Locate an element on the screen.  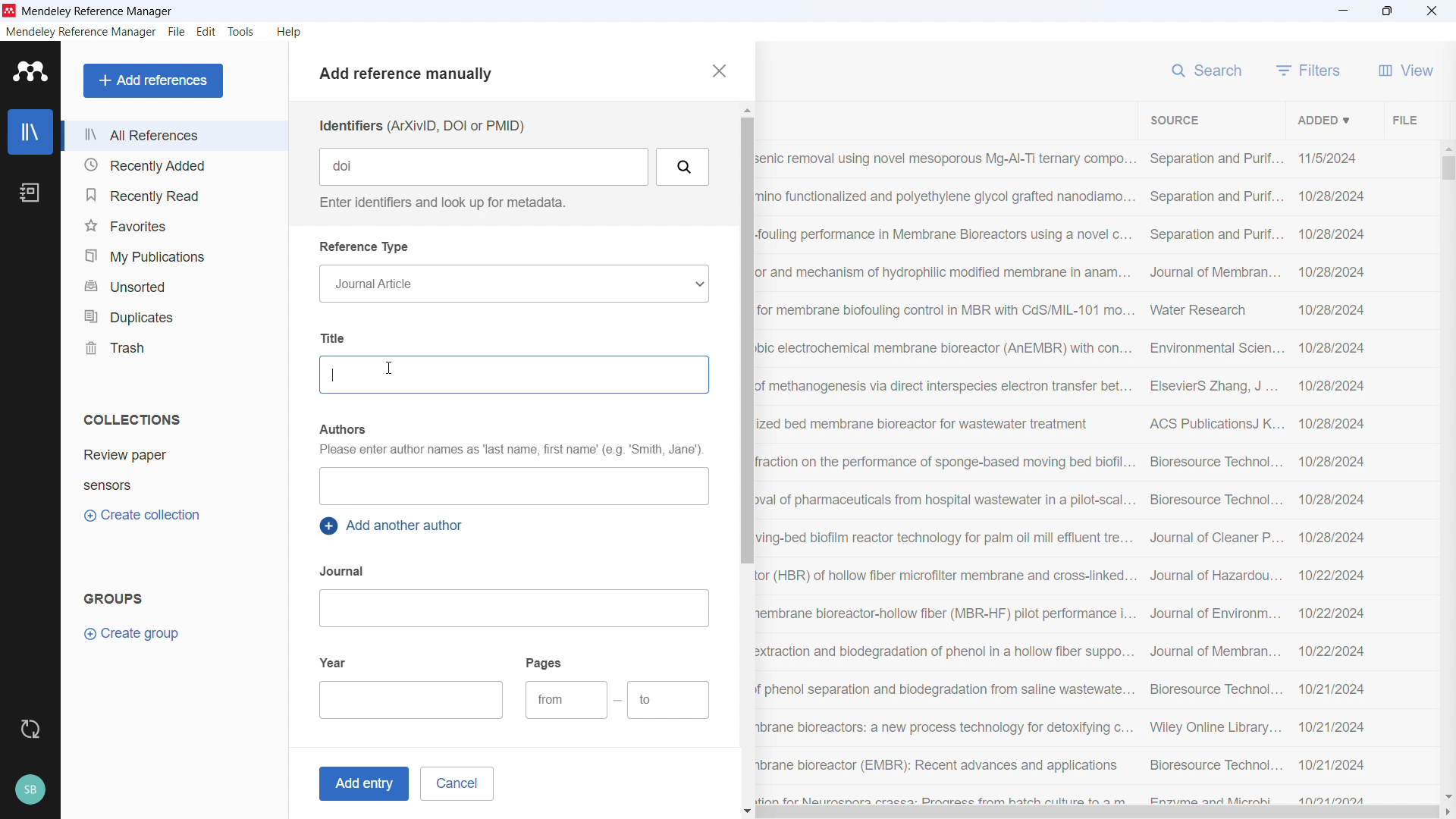
Logo  is located at coordinates (31, 71).